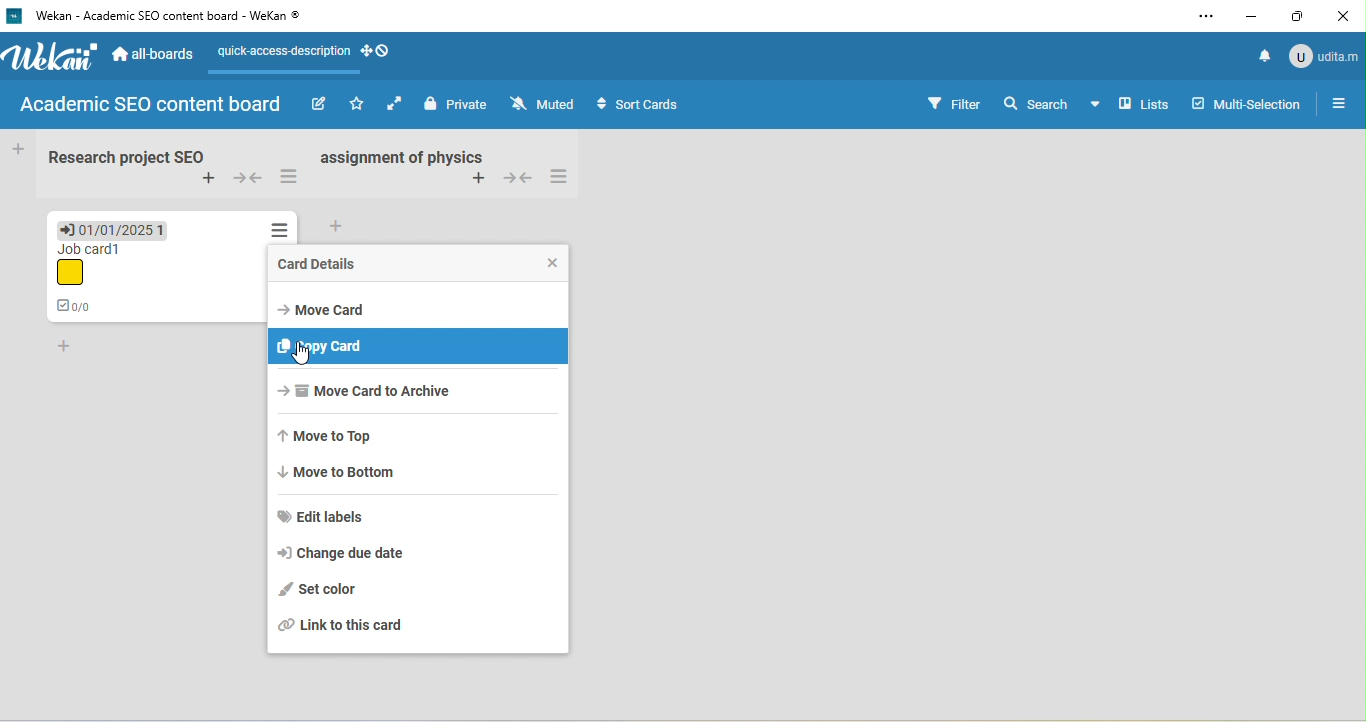  I want to click on udita mandal, so click(1326, 56).